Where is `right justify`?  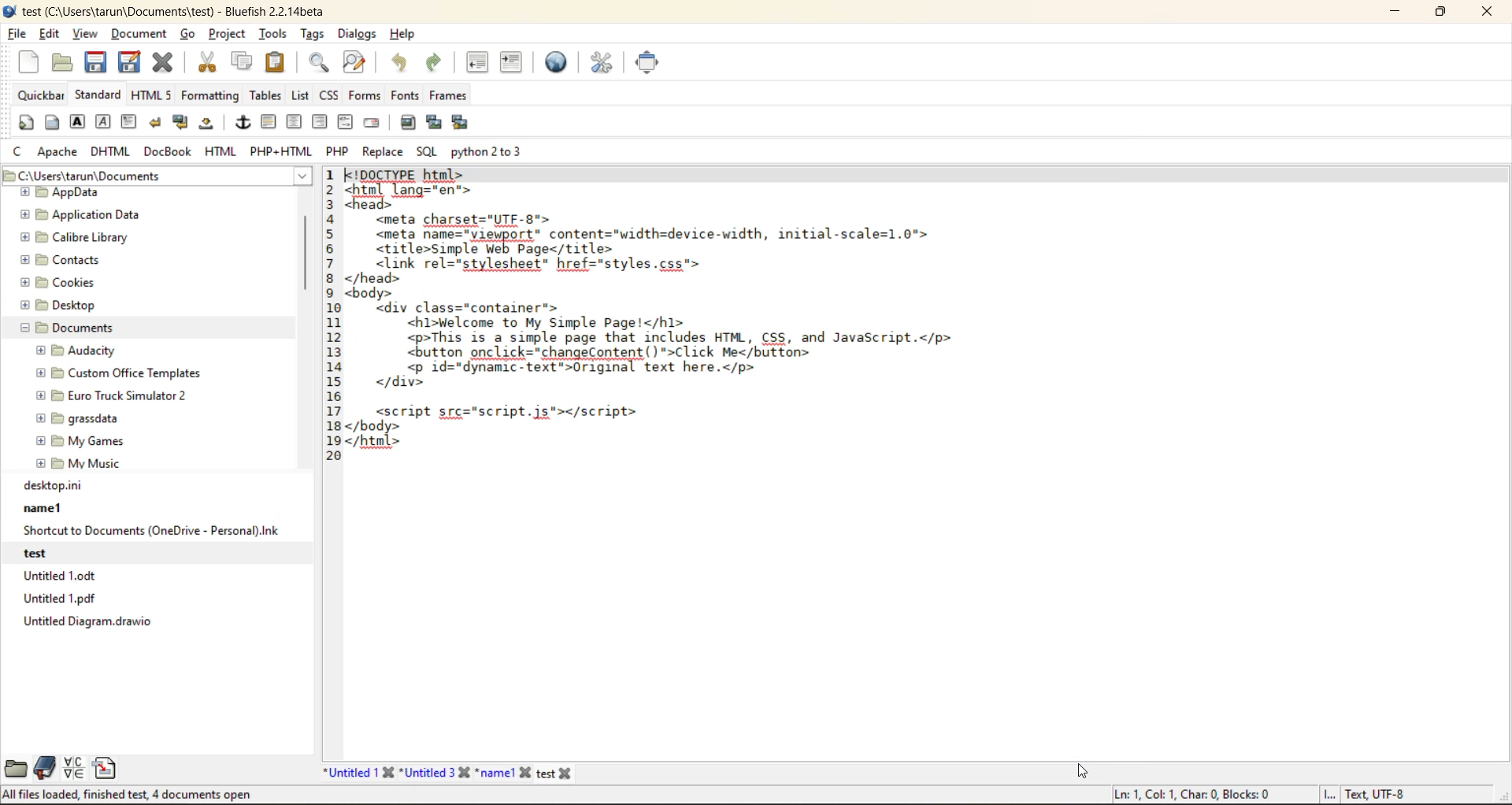
right justify is located at coordinates (320, 122).